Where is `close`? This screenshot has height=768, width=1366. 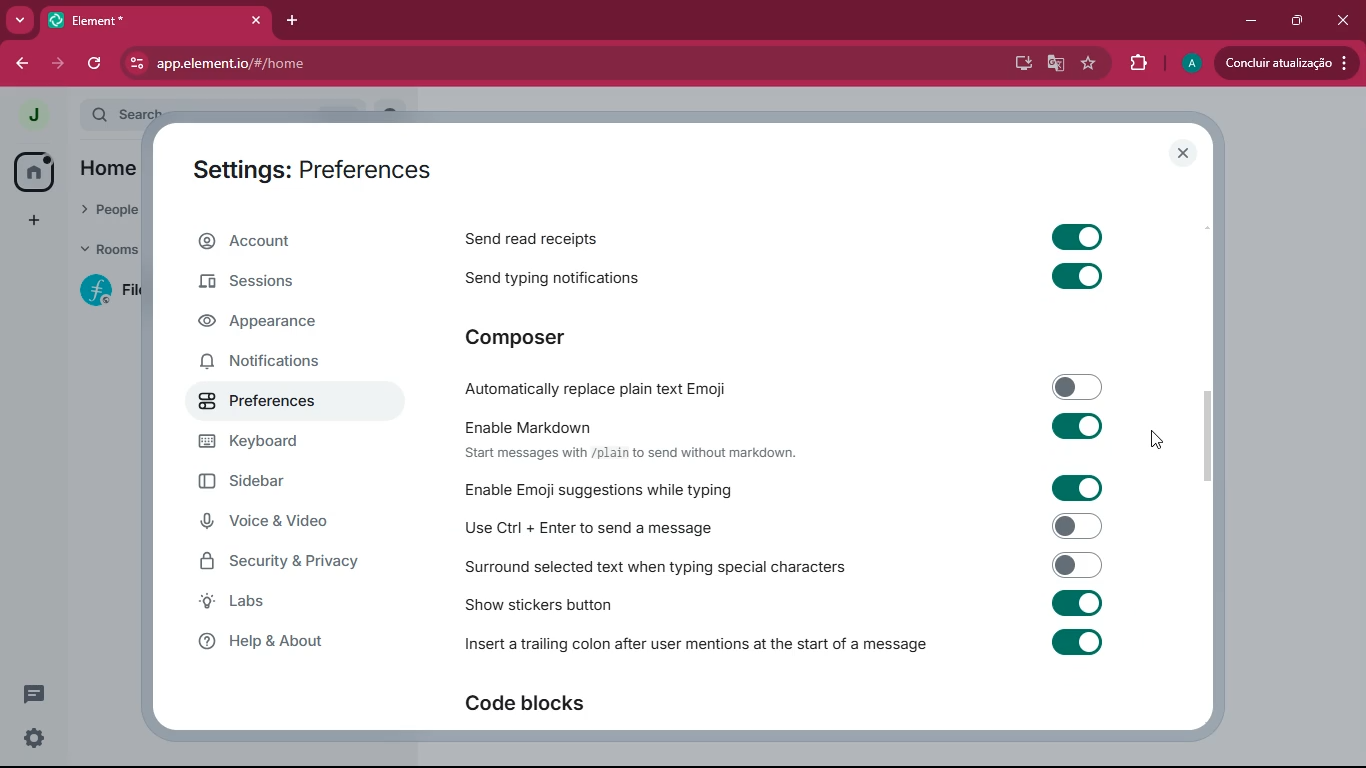
close is located at coordinates (1339, 17).